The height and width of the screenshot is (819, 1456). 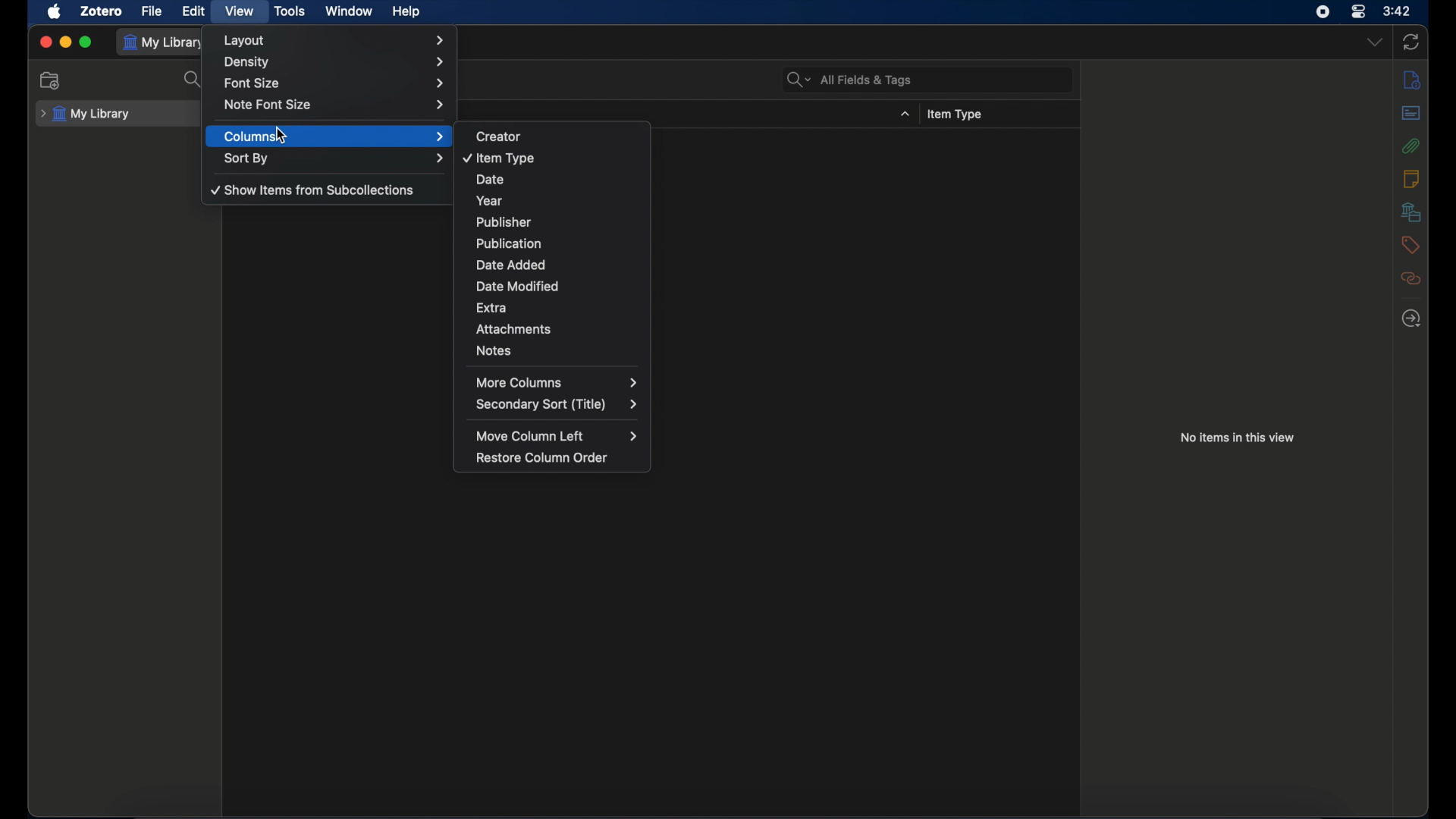 What do you see at coordinates (552, 155) in the screenshot?
I see `item type` at bounding box center [552, 155].